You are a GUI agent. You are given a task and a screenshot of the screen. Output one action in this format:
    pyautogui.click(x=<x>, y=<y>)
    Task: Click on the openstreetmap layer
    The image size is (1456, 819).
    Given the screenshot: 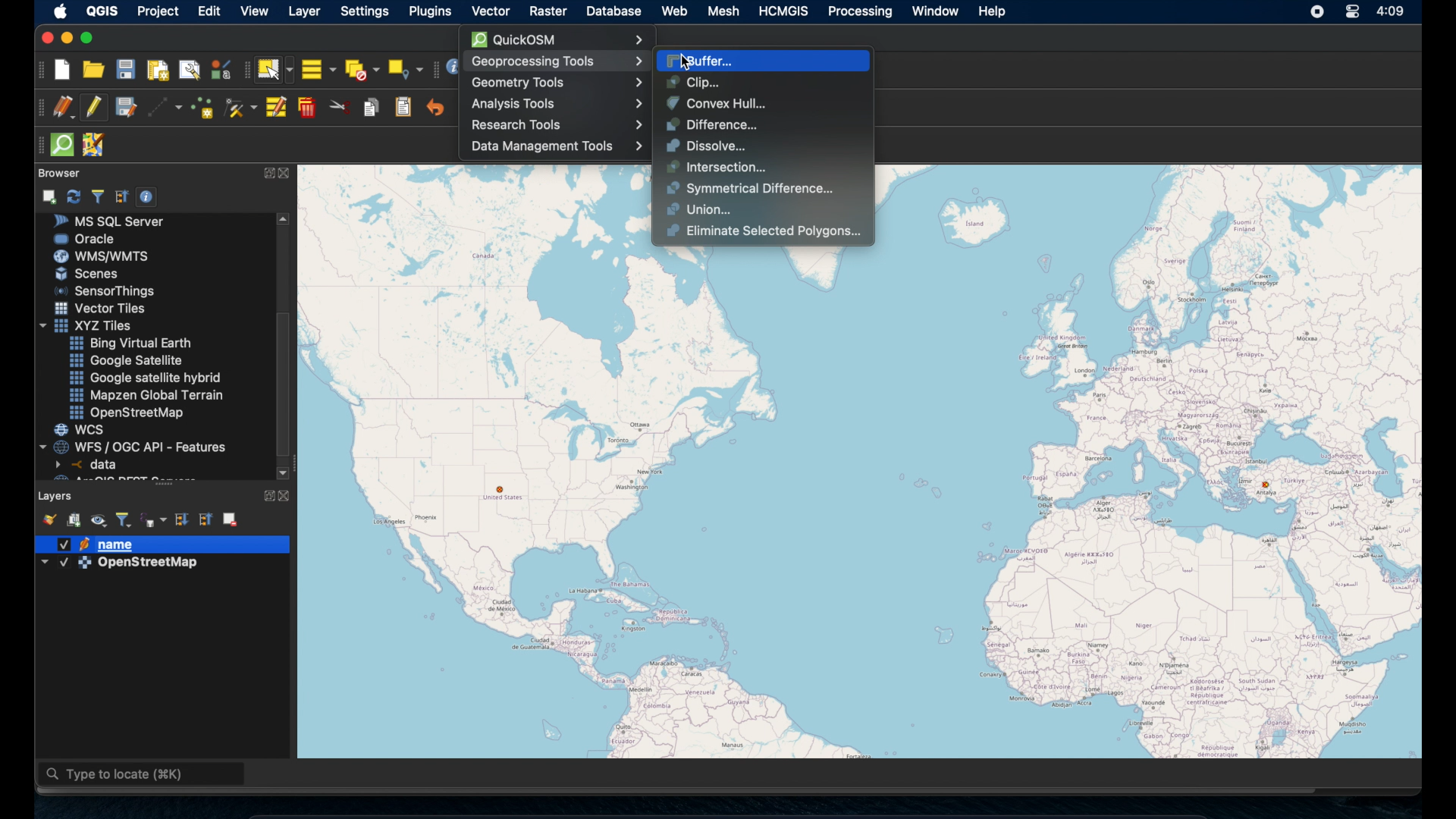 What is the action you would take?
    pyautogui.click(x=121, y=566)
    